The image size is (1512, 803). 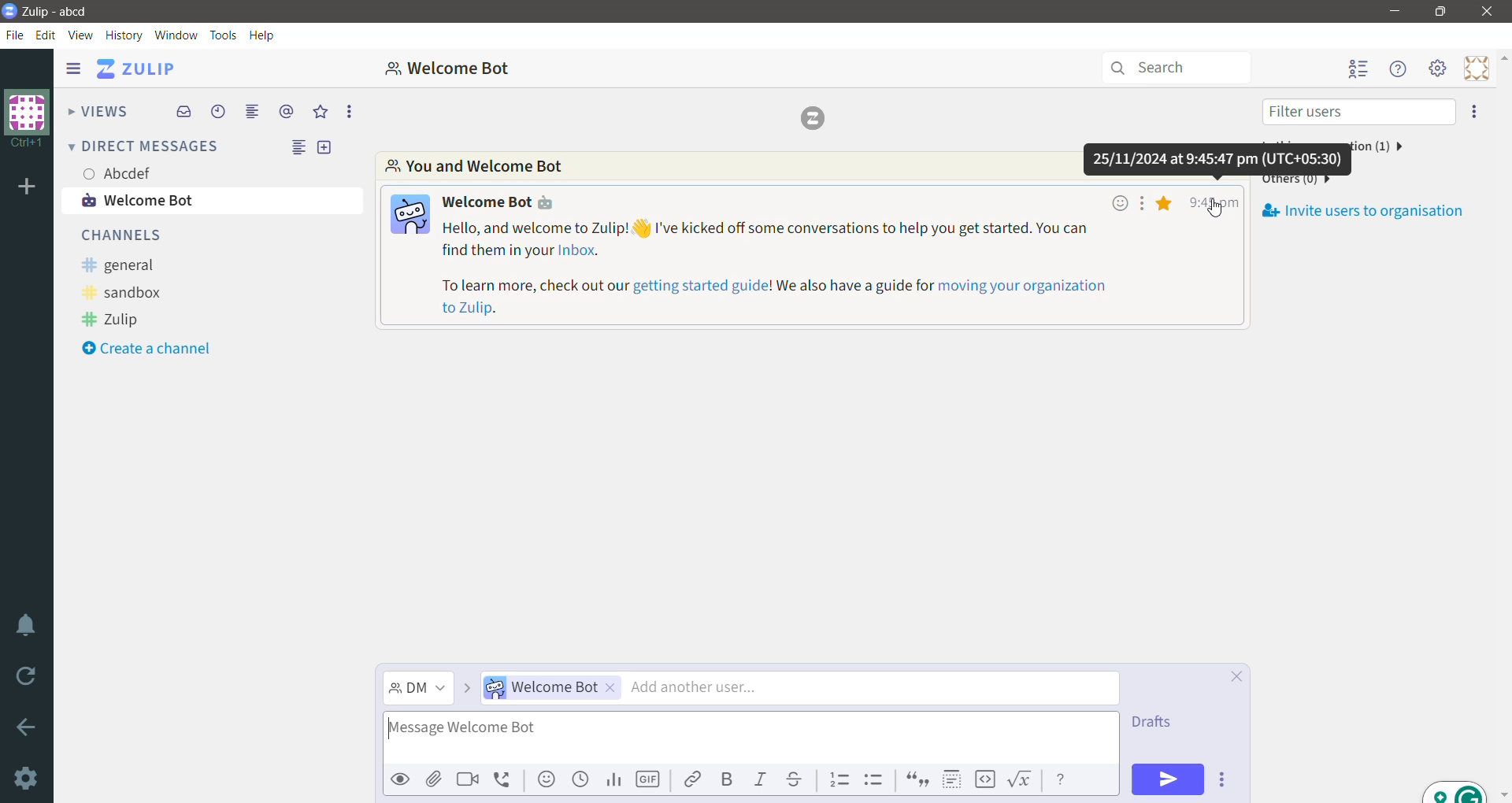 I want to click on Message content, so click(x=838, y=269).